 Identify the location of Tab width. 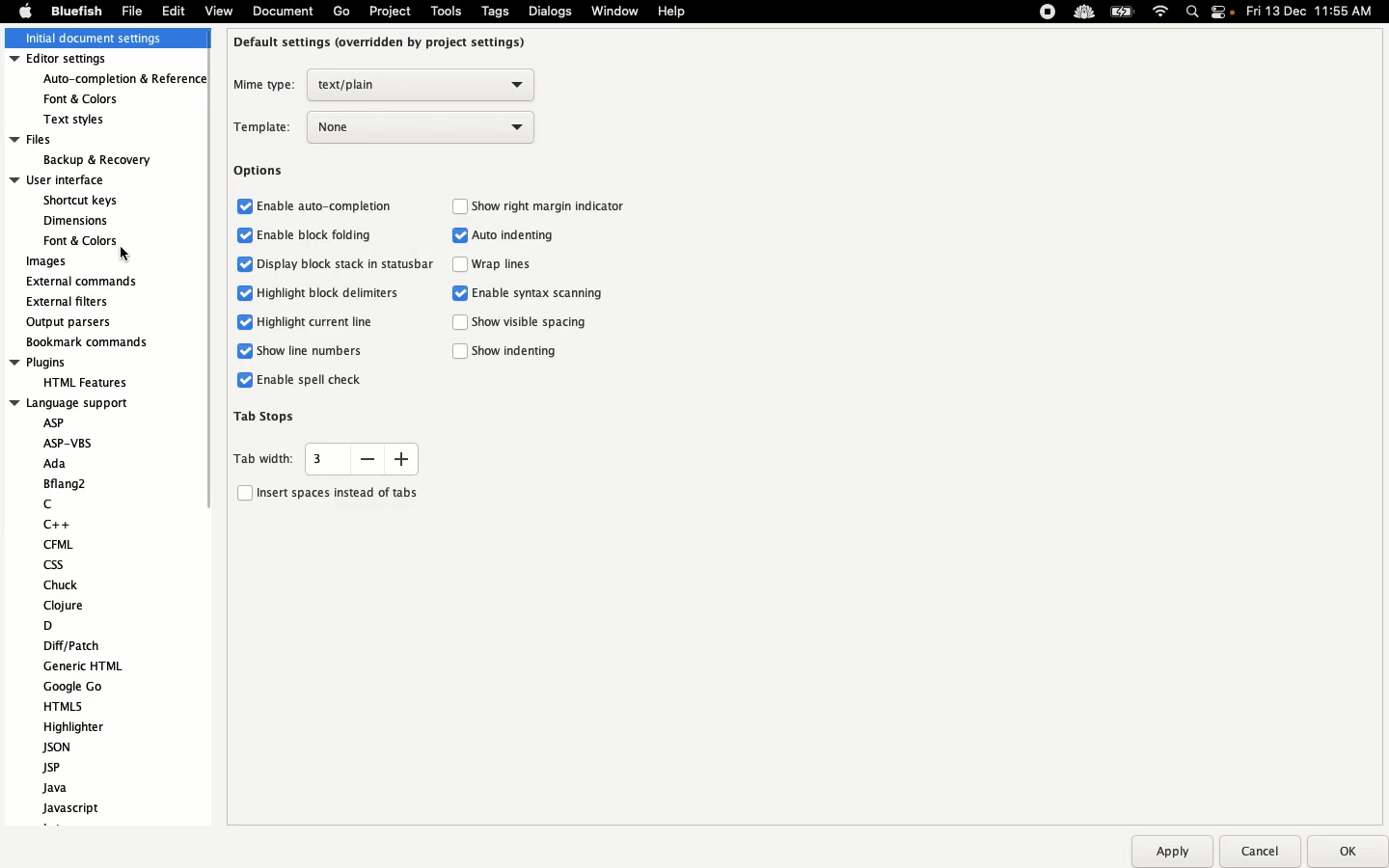
(325, 458).